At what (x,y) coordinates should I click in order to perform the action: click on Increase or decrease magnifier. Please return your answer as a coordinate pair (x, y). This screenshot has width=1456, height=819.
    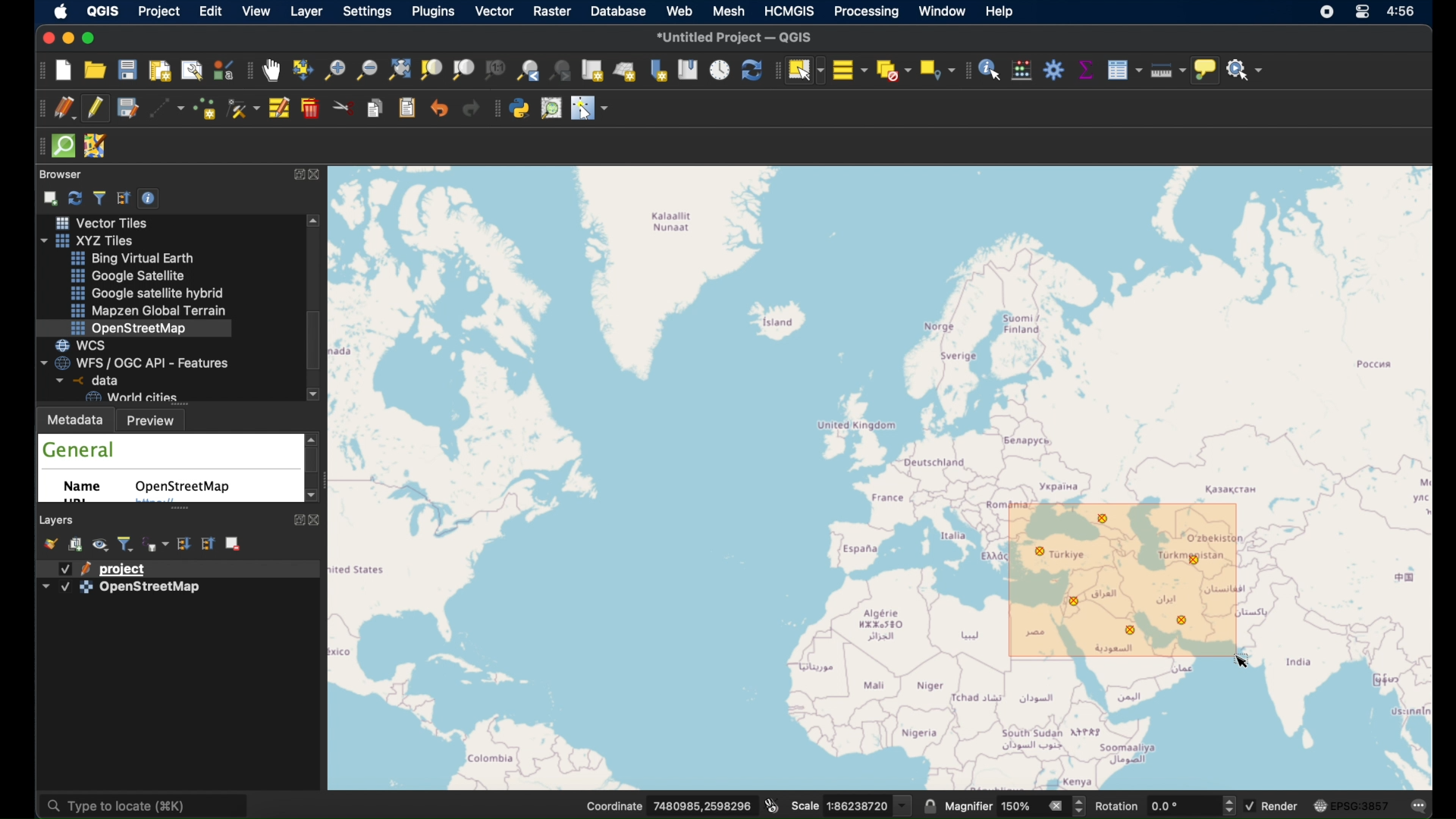
    Looking at the image, I should click on (1081, 806).